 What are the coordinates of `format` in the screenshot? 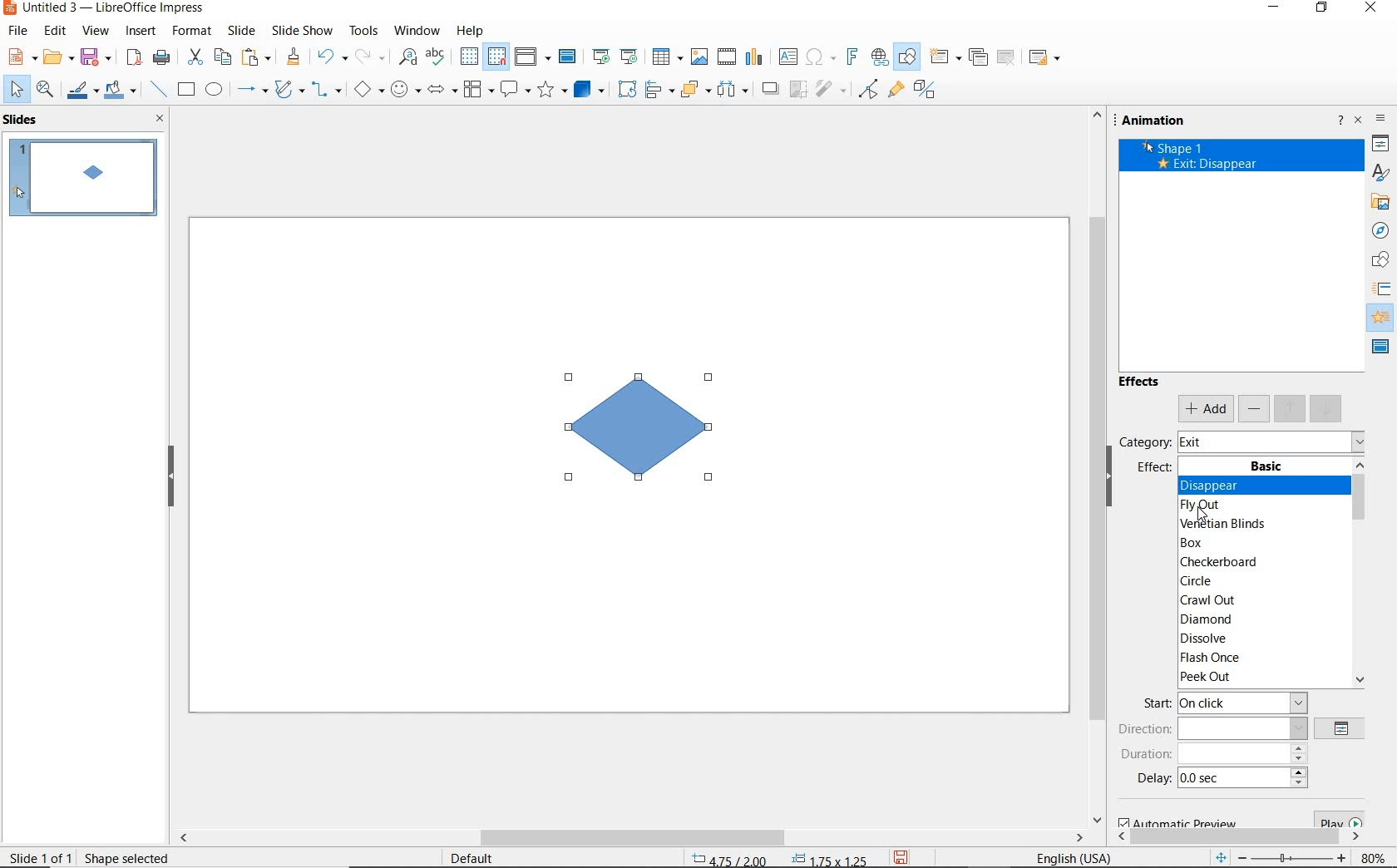 It's located at (193, 32).